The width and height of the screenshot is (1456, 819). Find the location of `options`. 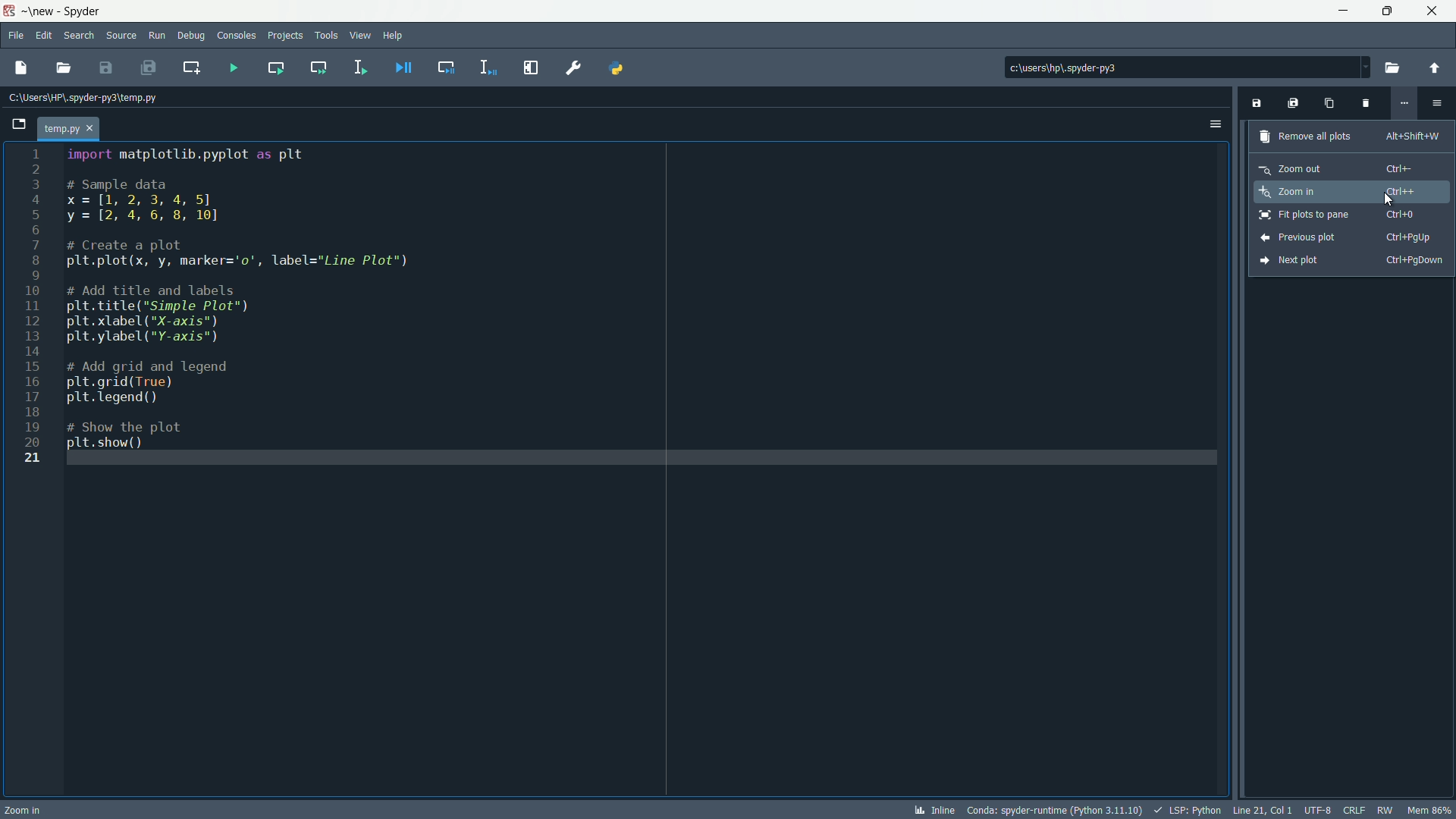

options is located at coordinates (1216, 123).